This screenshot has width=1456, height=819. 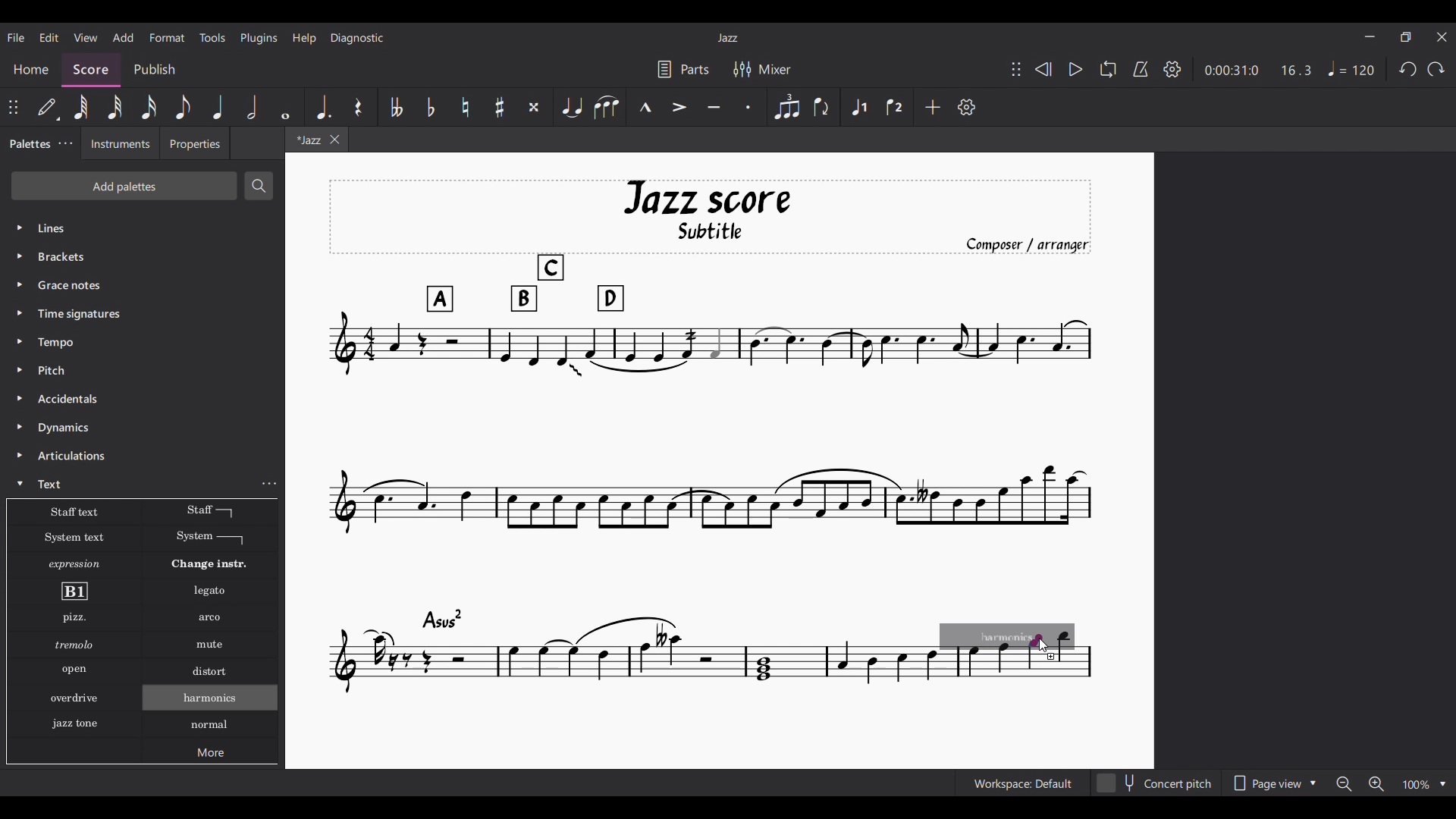 I want to click on Half note, so click(x=253, y=107).